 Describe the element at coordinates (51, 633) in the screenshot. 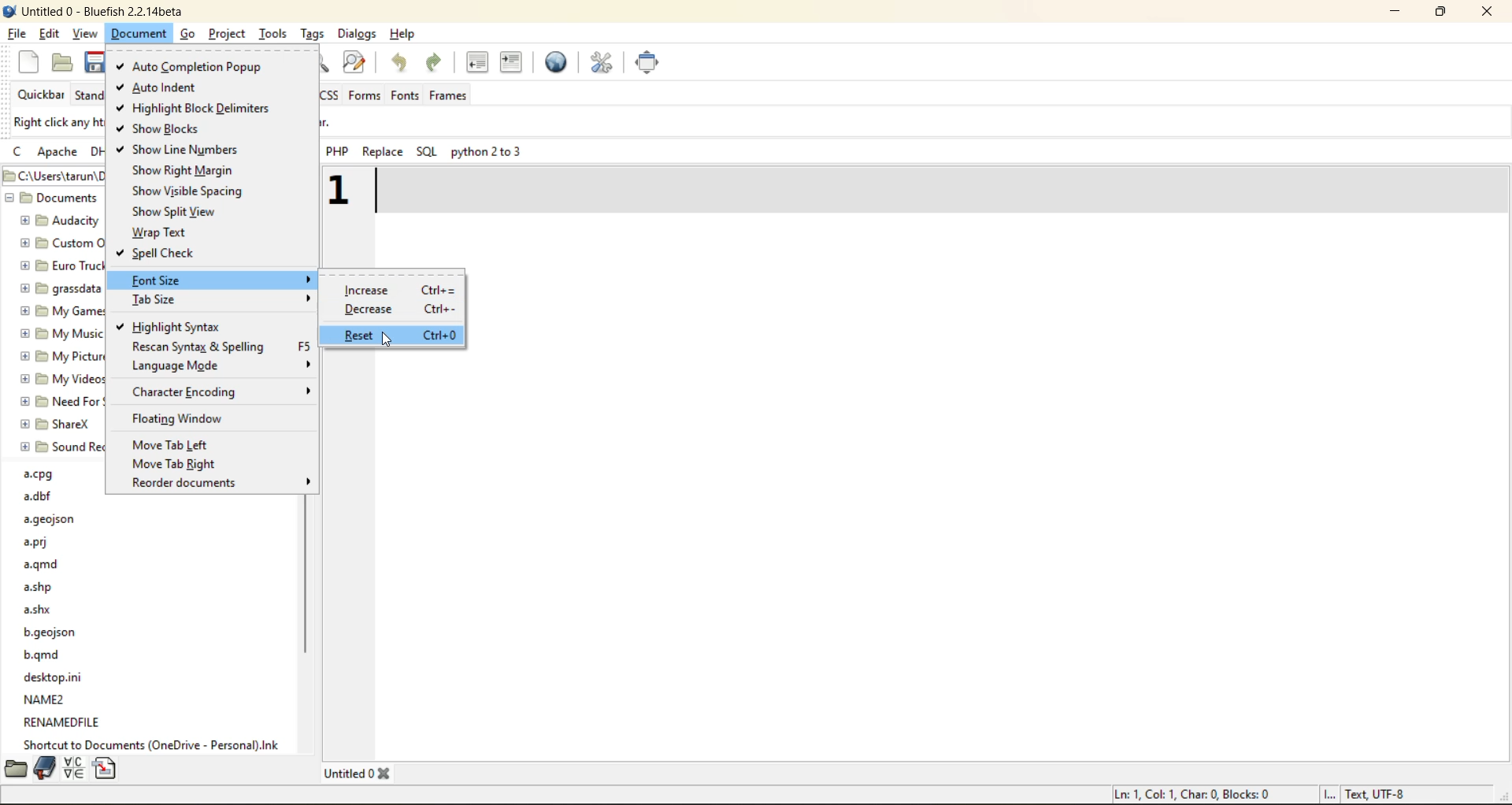

I see `b.geojson` at that location.